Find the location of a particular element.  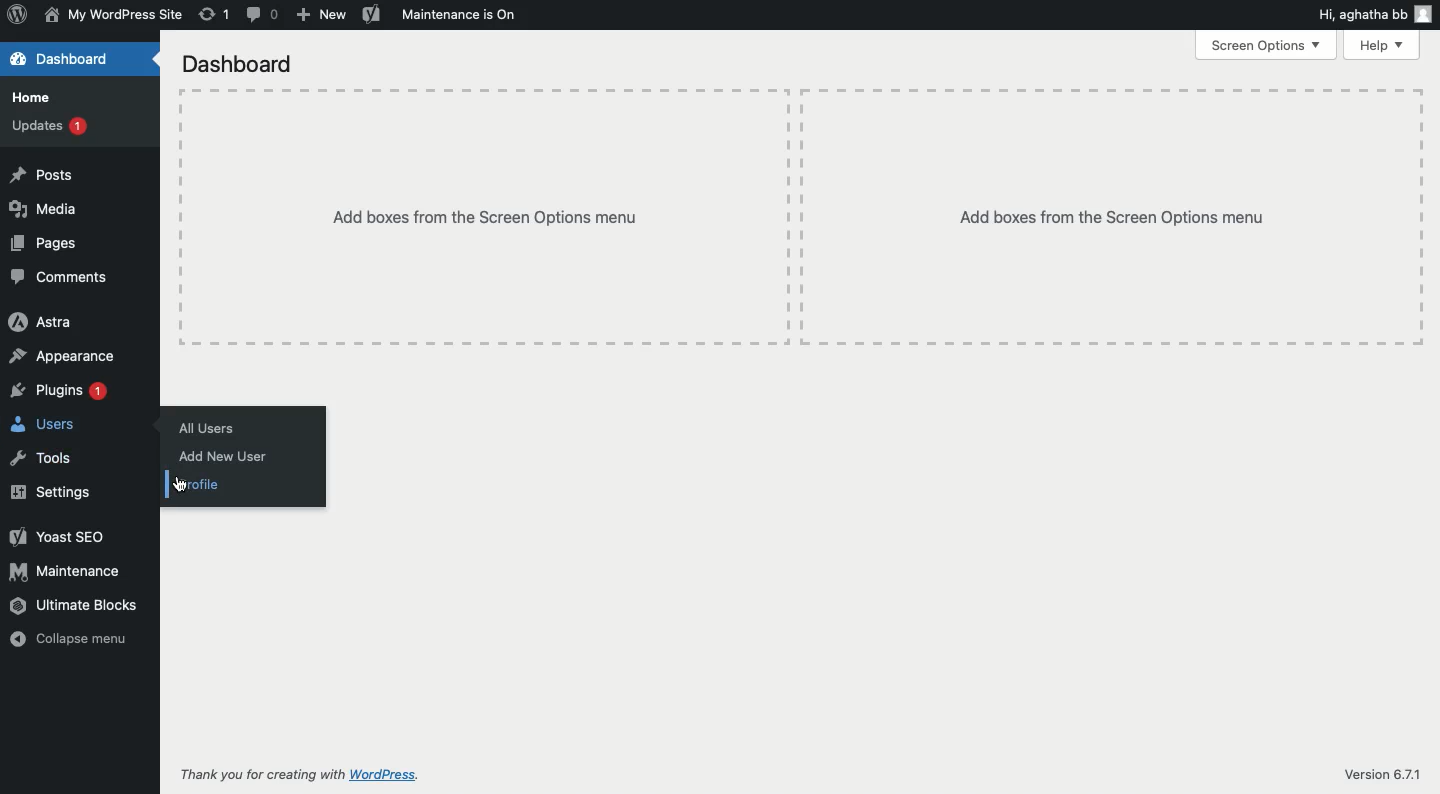

Help is located at coordinates (1381, 46).